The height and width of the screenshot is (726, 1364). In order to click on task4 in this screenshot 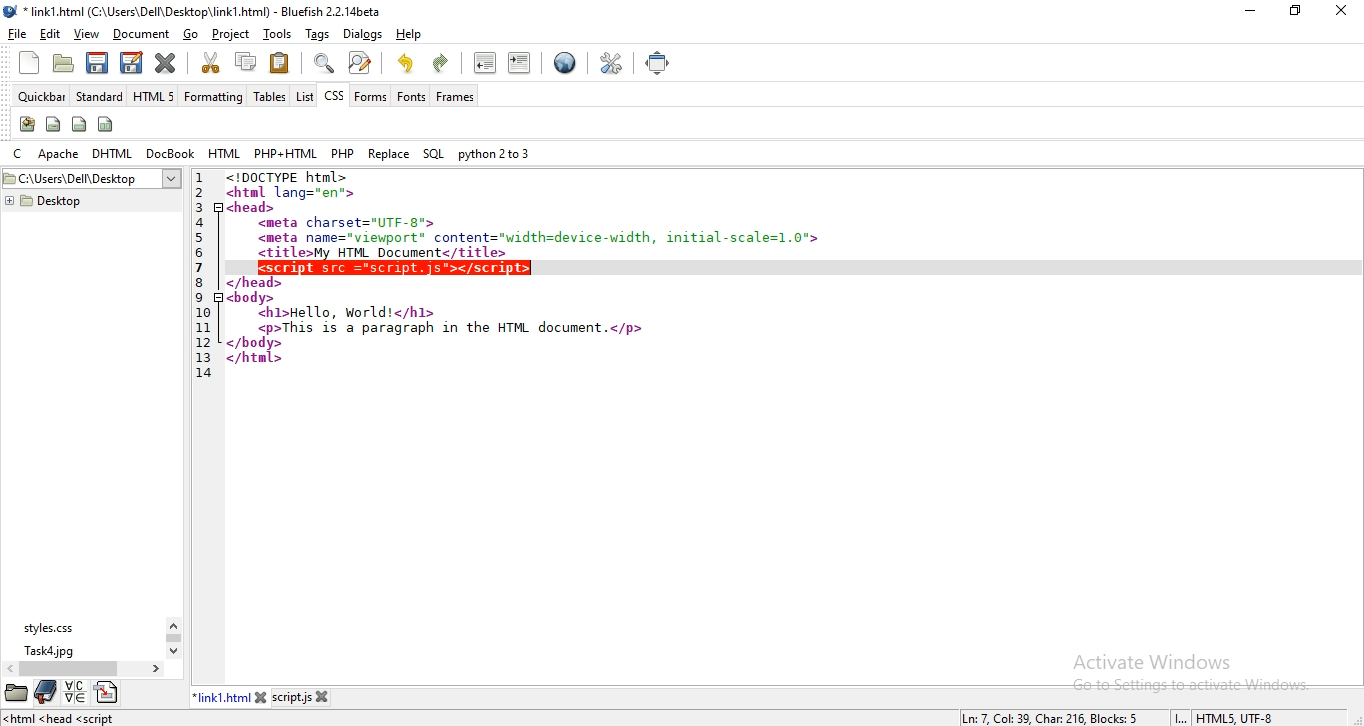, I will do `click(51, 651)`.